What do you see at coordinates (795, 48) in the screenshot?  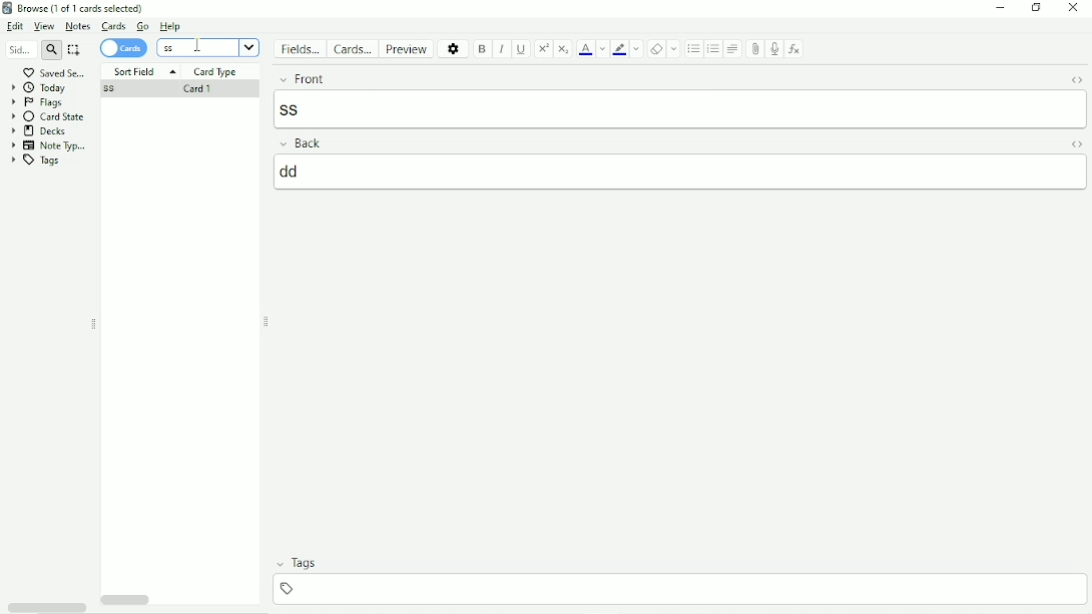 I see `Equations` at bounding box center [795, 48].